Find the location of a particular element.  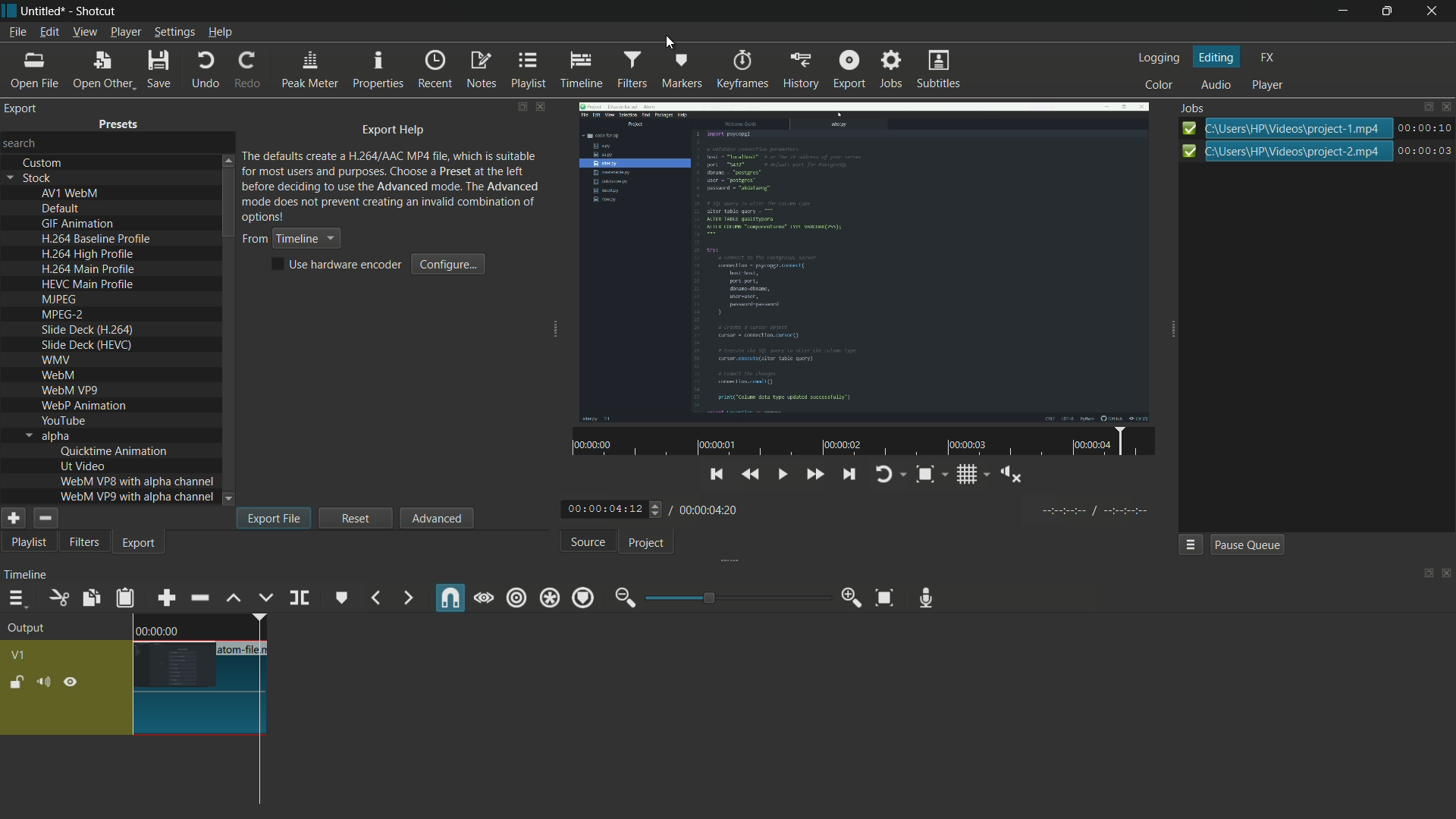

settings menu is located at coordinates (174, 32).